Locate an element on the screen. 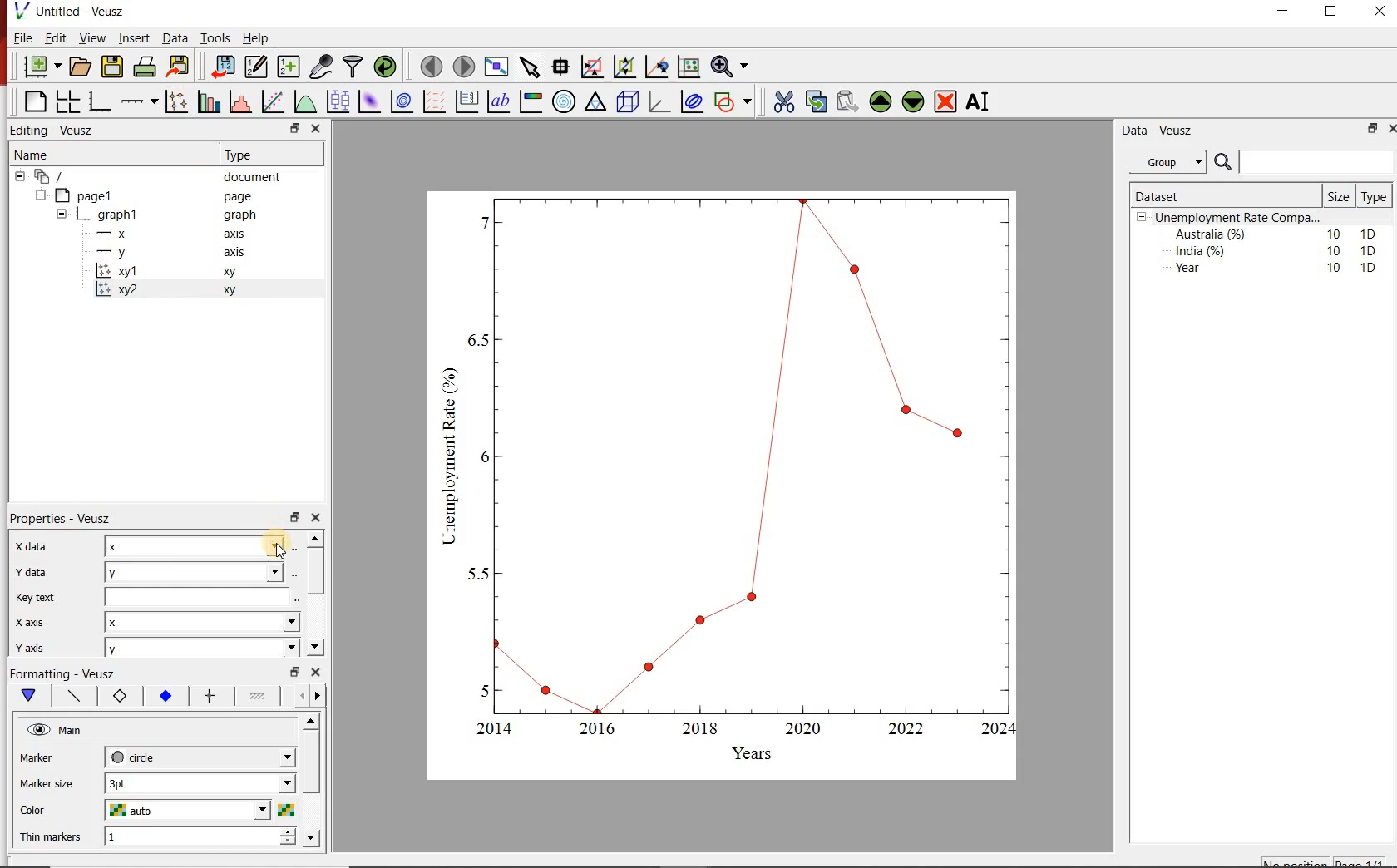 The height and width of the screenshot is (868, 1397). remove the widgets is located at coordinates (945, 101).